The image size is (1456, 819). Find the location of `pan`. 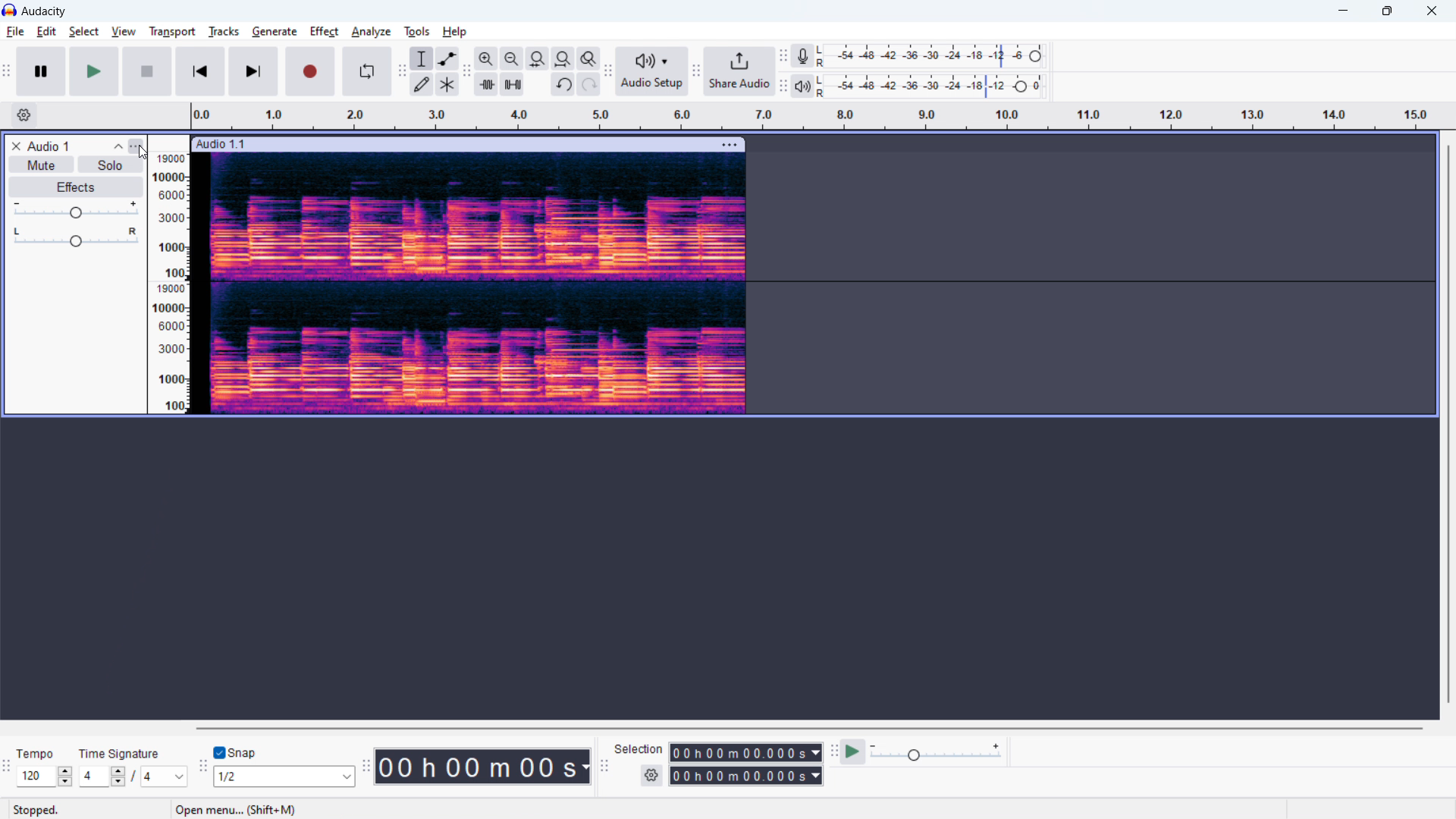

pan is located at coordinates (76, 237).